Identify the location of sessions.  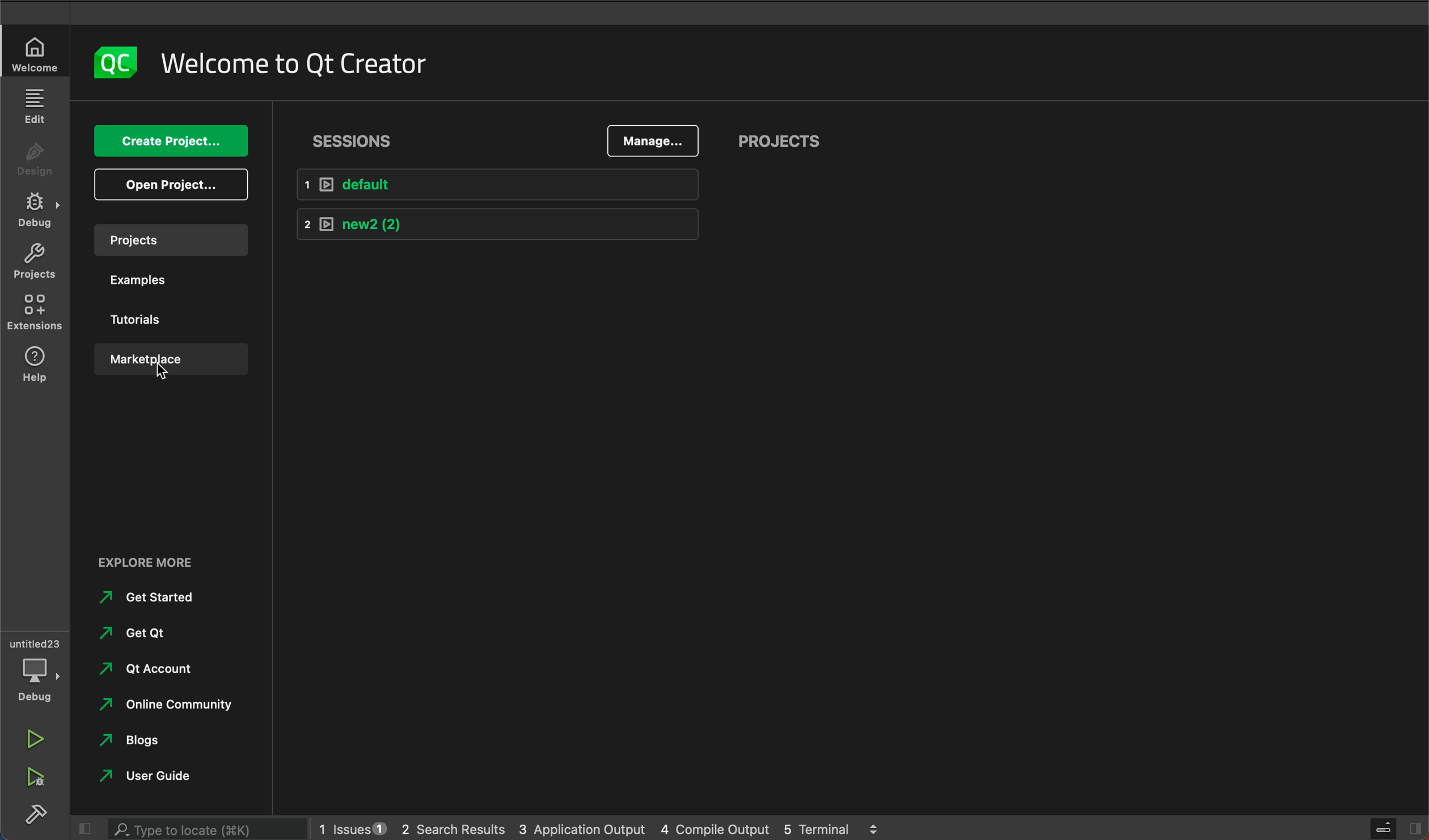
(360, 139).